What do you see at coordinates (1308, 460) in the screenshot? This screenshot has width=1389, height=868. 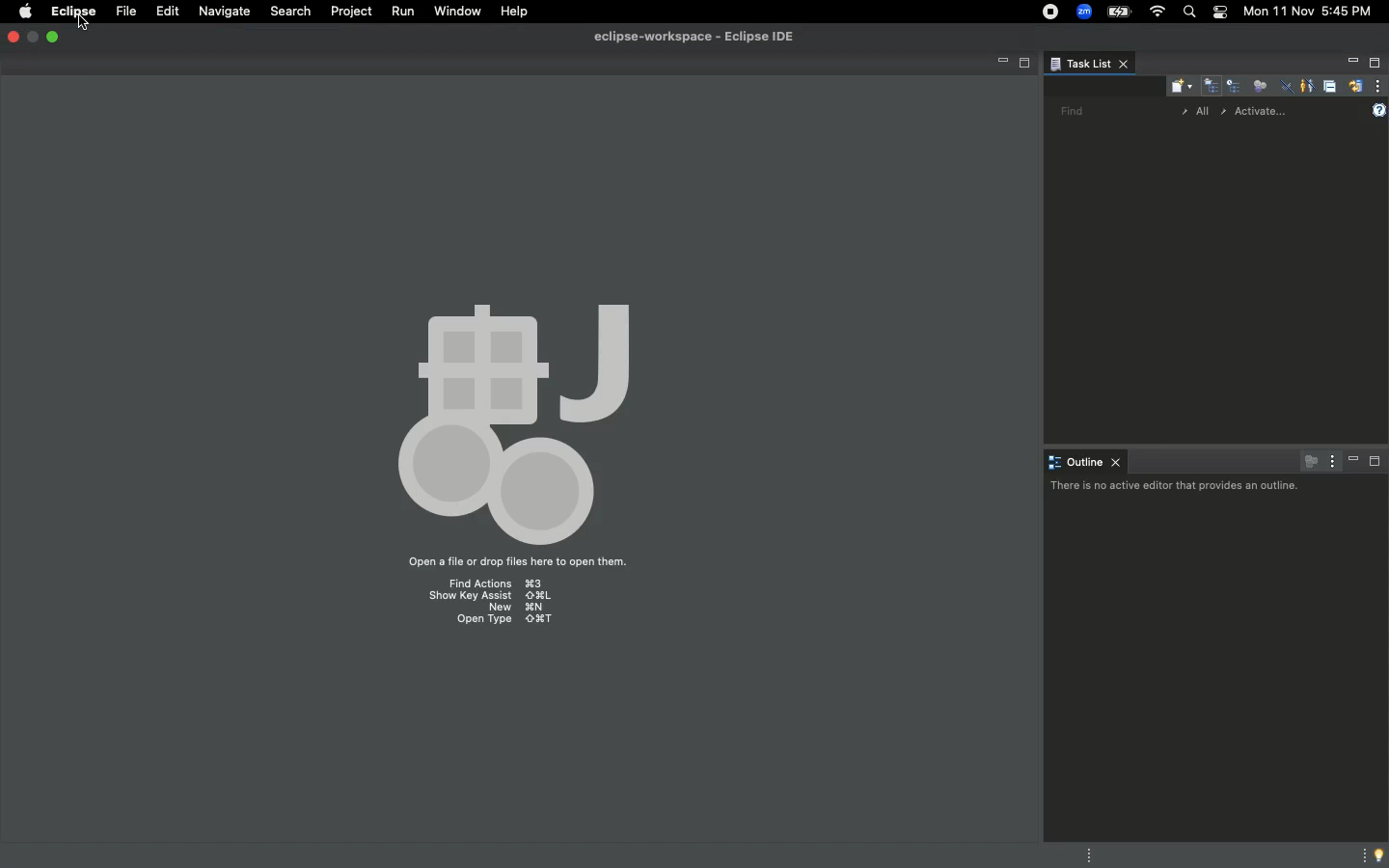 I see `Focus on active task` at bounding box center [1308, 460].